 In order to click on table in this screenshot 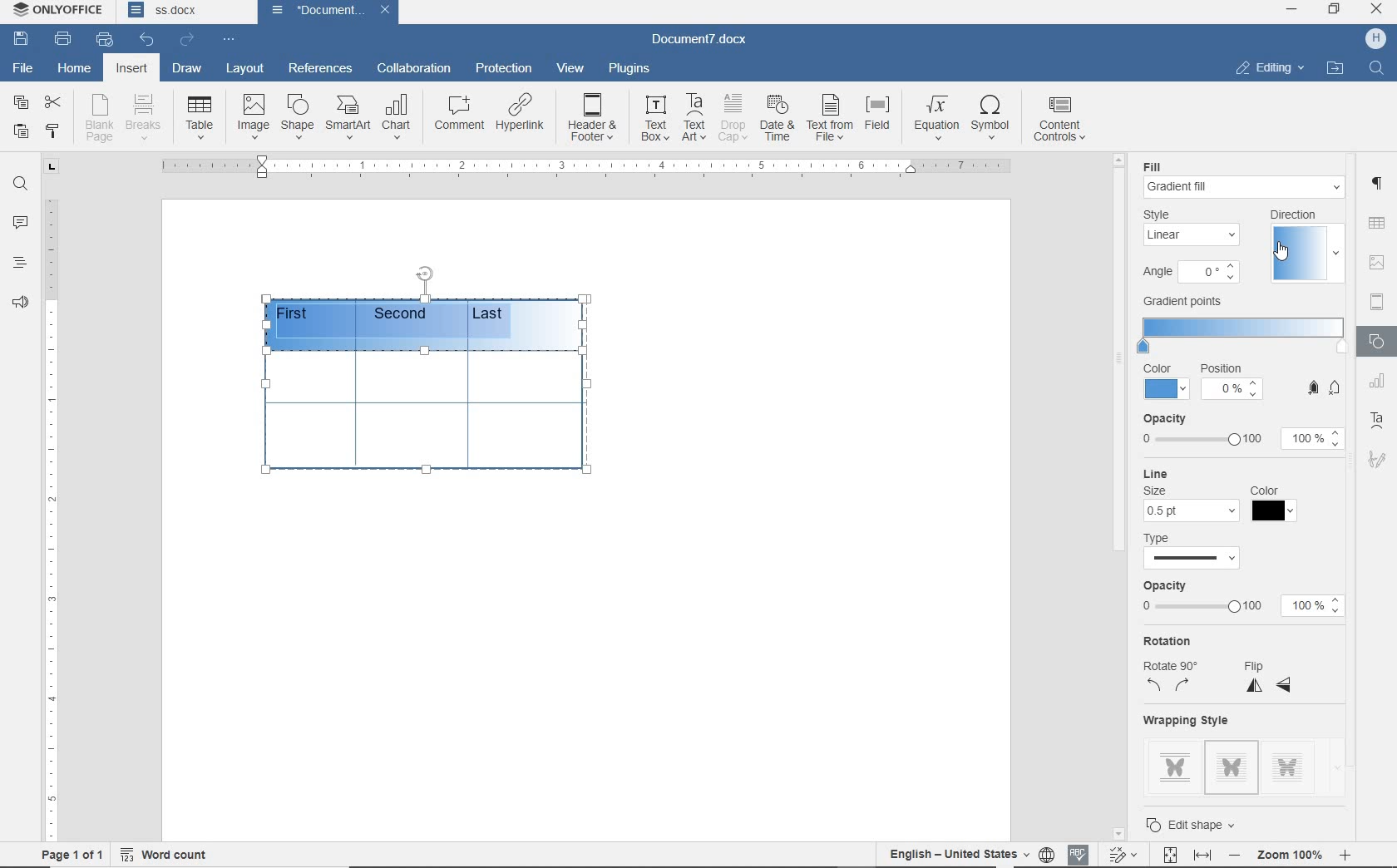, I will do `click(429, 419)`.